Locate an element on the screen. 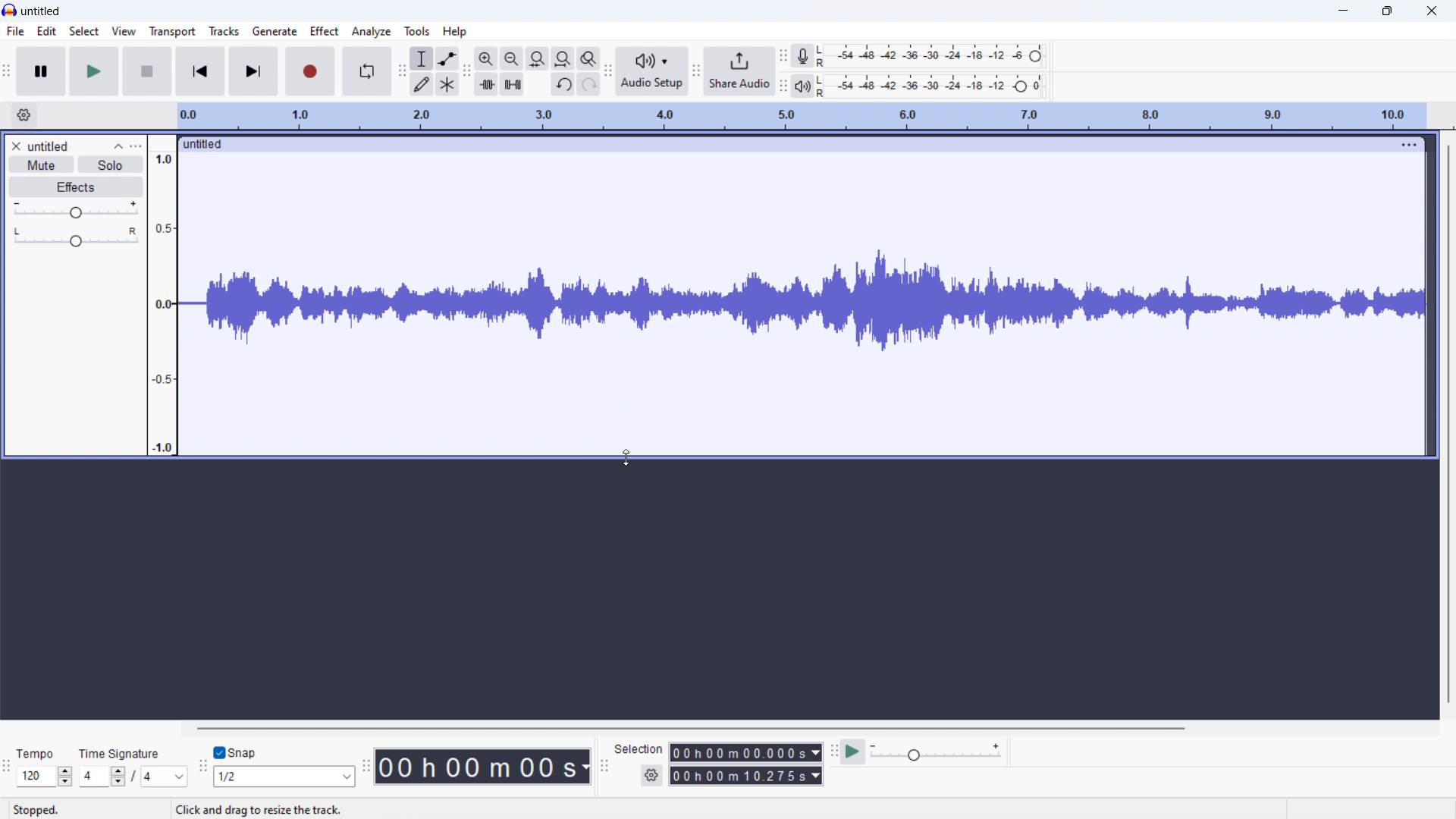 The height and width of the screenshot is (819, 1456). play at speed is located at coordinates (854, 751).